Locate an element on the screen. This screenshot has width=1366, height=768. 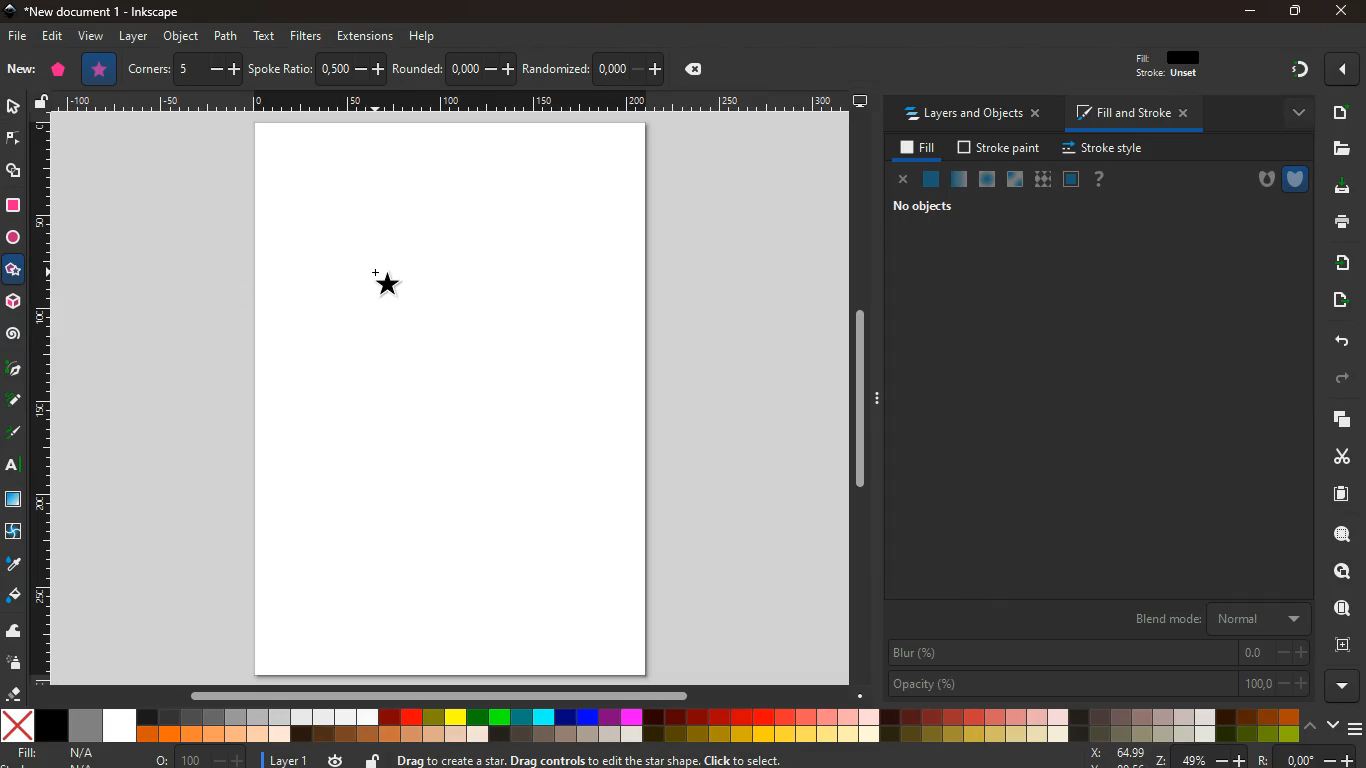
fill and stroke is located at coordinates (1128, 115).